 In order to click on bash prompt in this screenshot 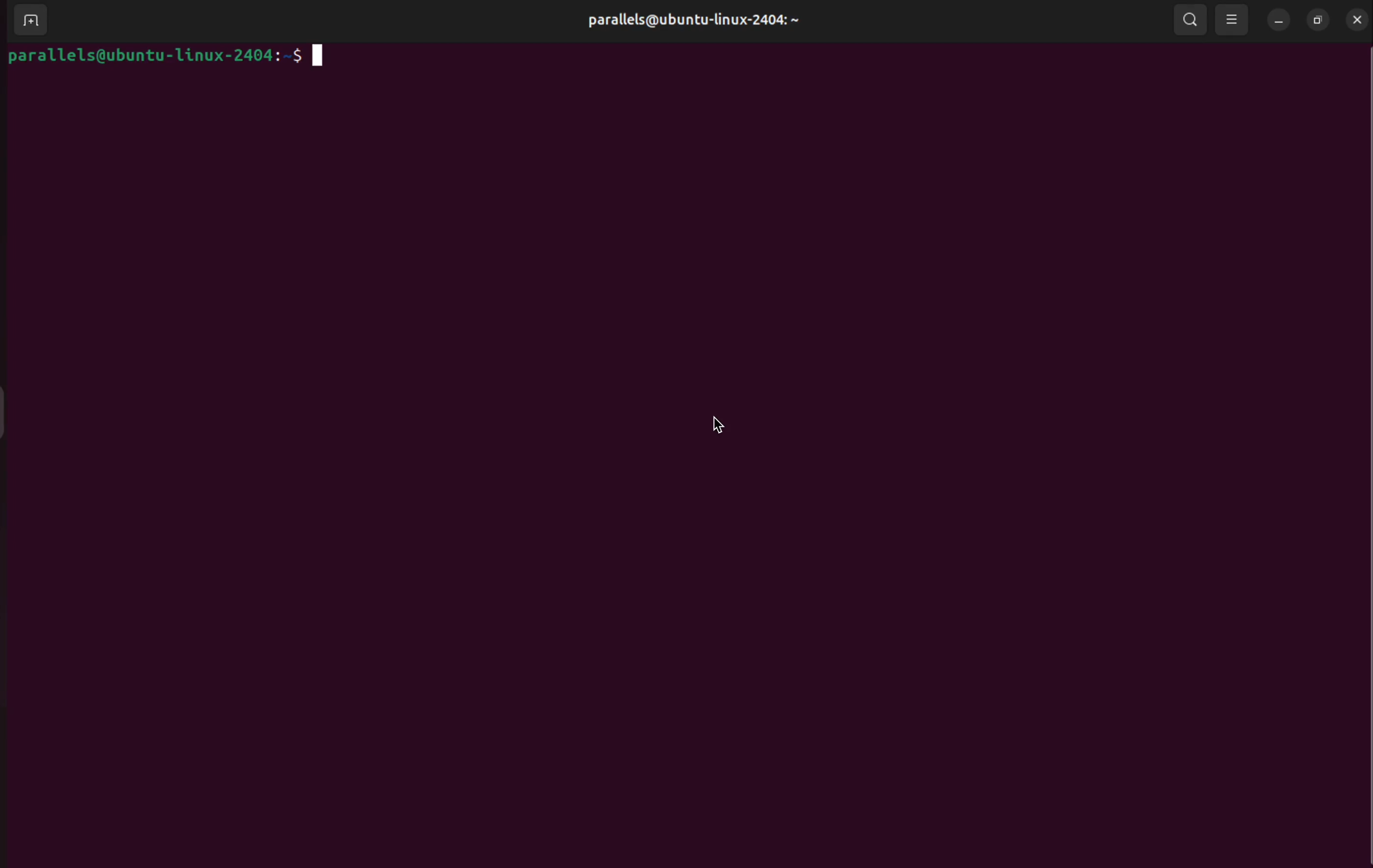, I will do `click(160, 56)`.